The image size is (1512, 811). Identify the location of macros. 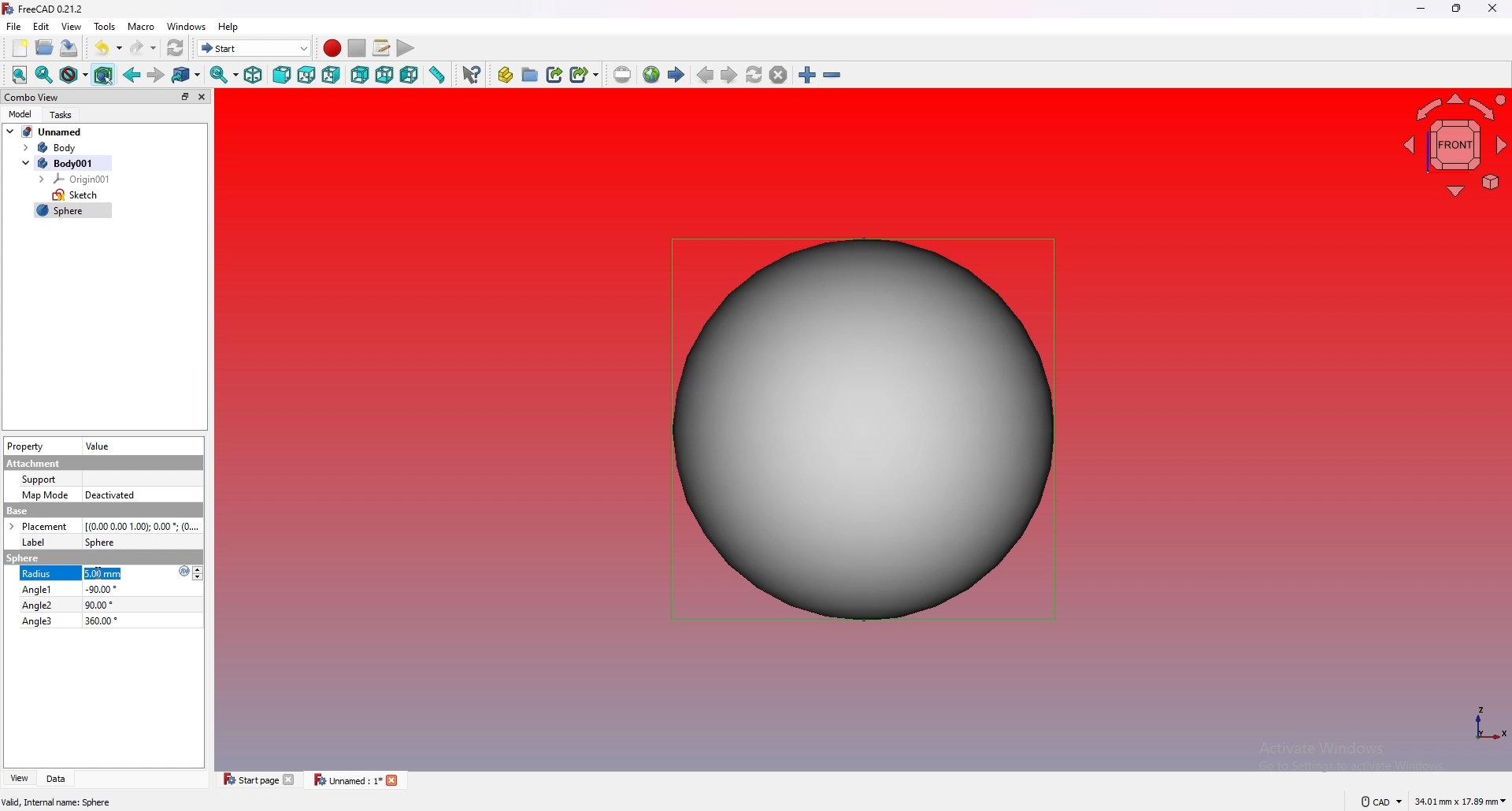
(381, 48).